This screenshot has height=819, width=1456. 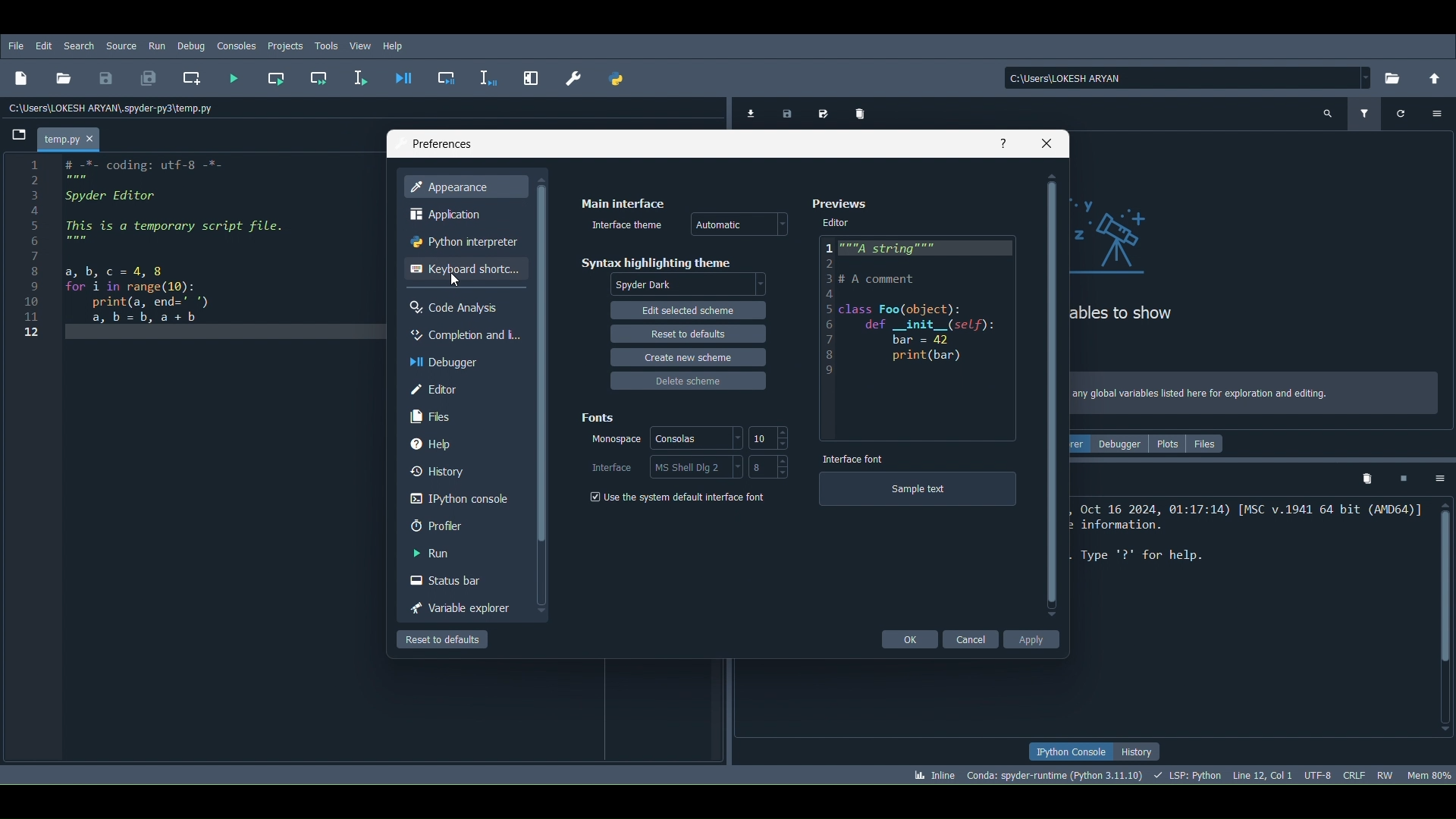 I want to click on Version, so click(x=1056, y=774).